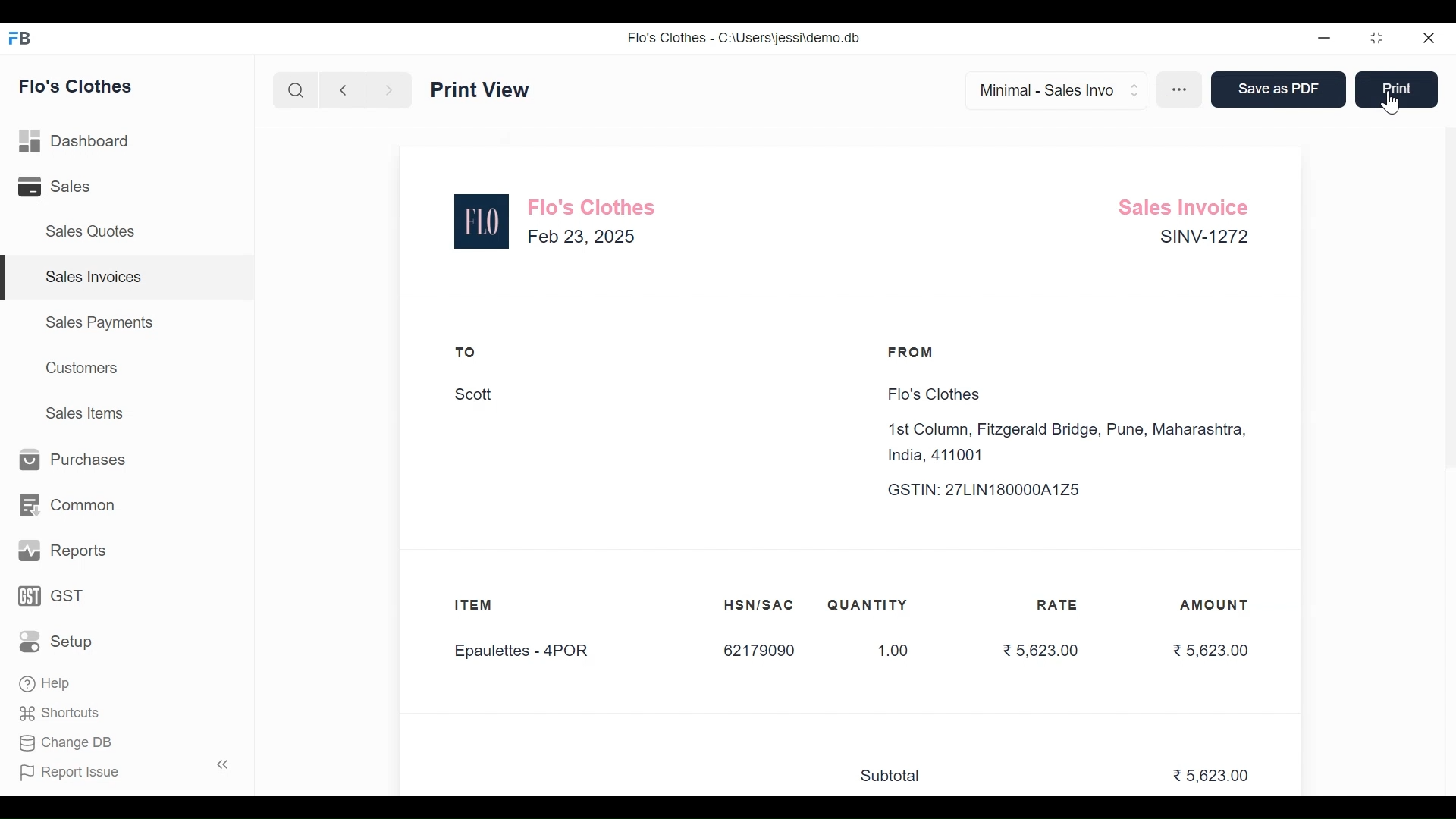  What do you see at coordinates (1181, 91) in the screenshot?
I see `More` at bounding box center [1181, 91].